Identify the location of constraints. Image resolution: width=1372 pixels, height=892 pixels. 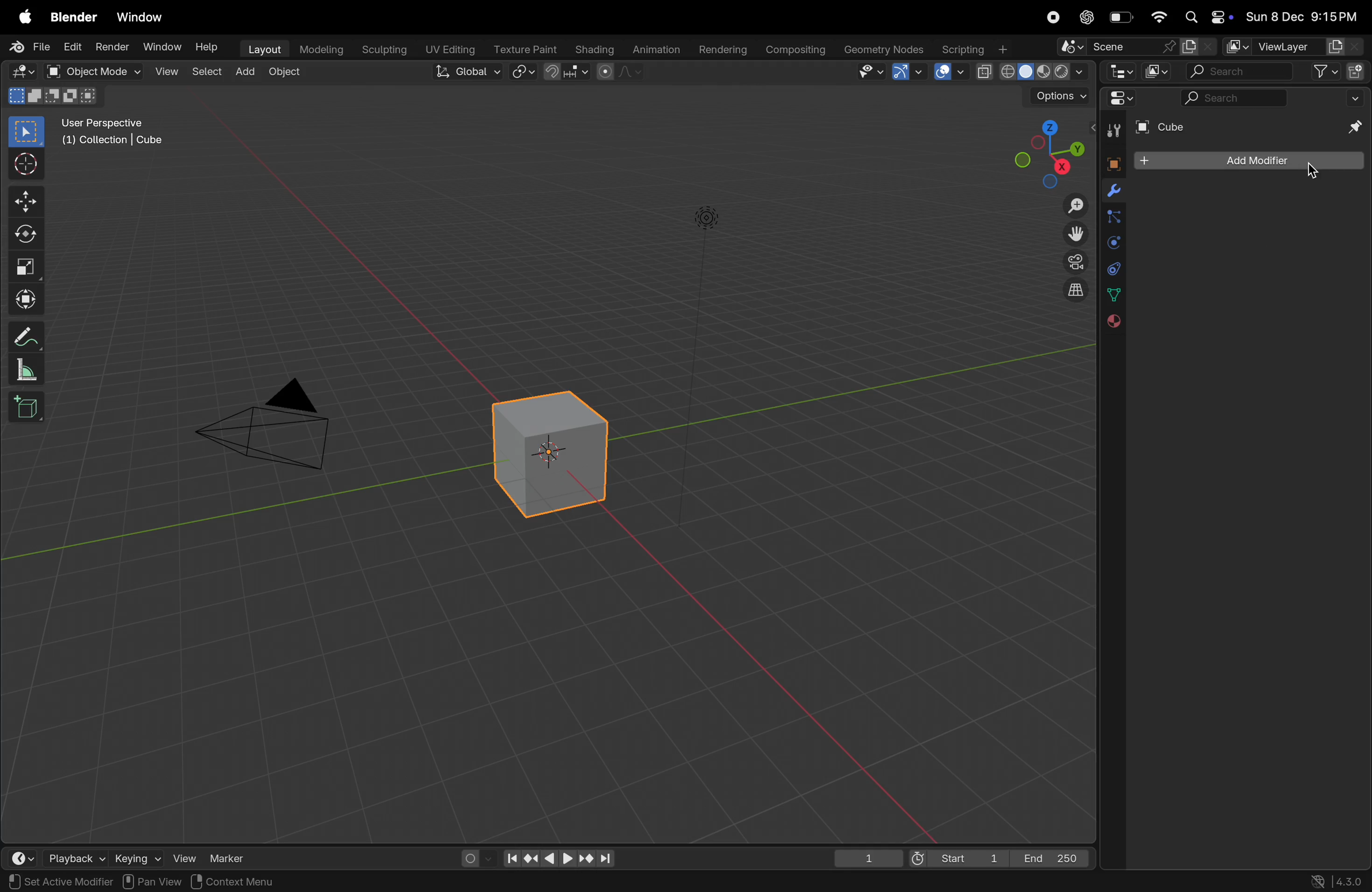
(1113, 267).